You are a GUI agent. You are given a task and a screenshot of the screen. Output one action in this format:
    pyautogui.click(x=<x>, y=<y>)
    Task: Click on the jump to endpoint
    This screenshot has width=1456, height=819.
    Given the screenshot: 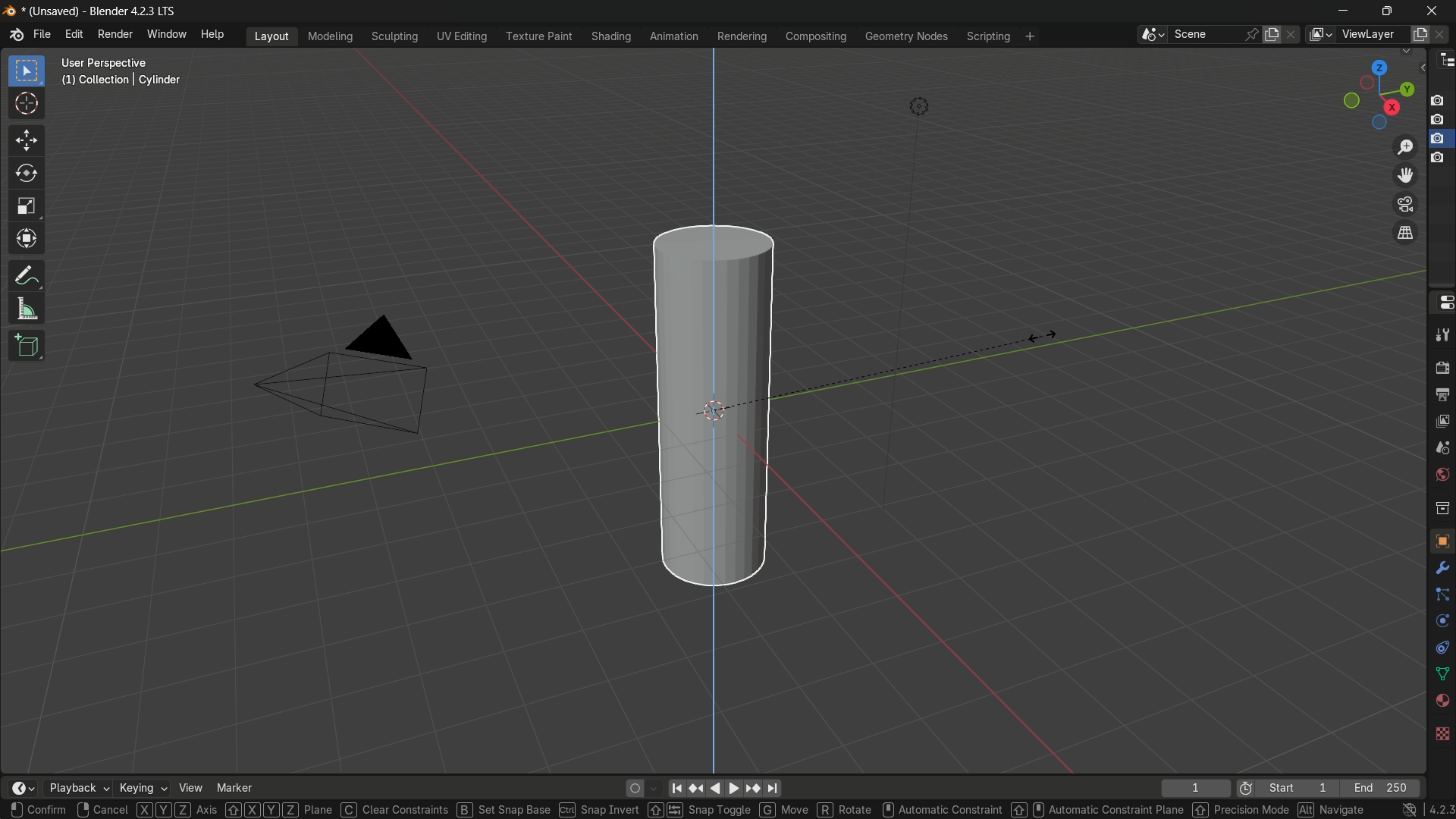 What is the action you would take?
    pyautogui.click(x=774, y=789)
    